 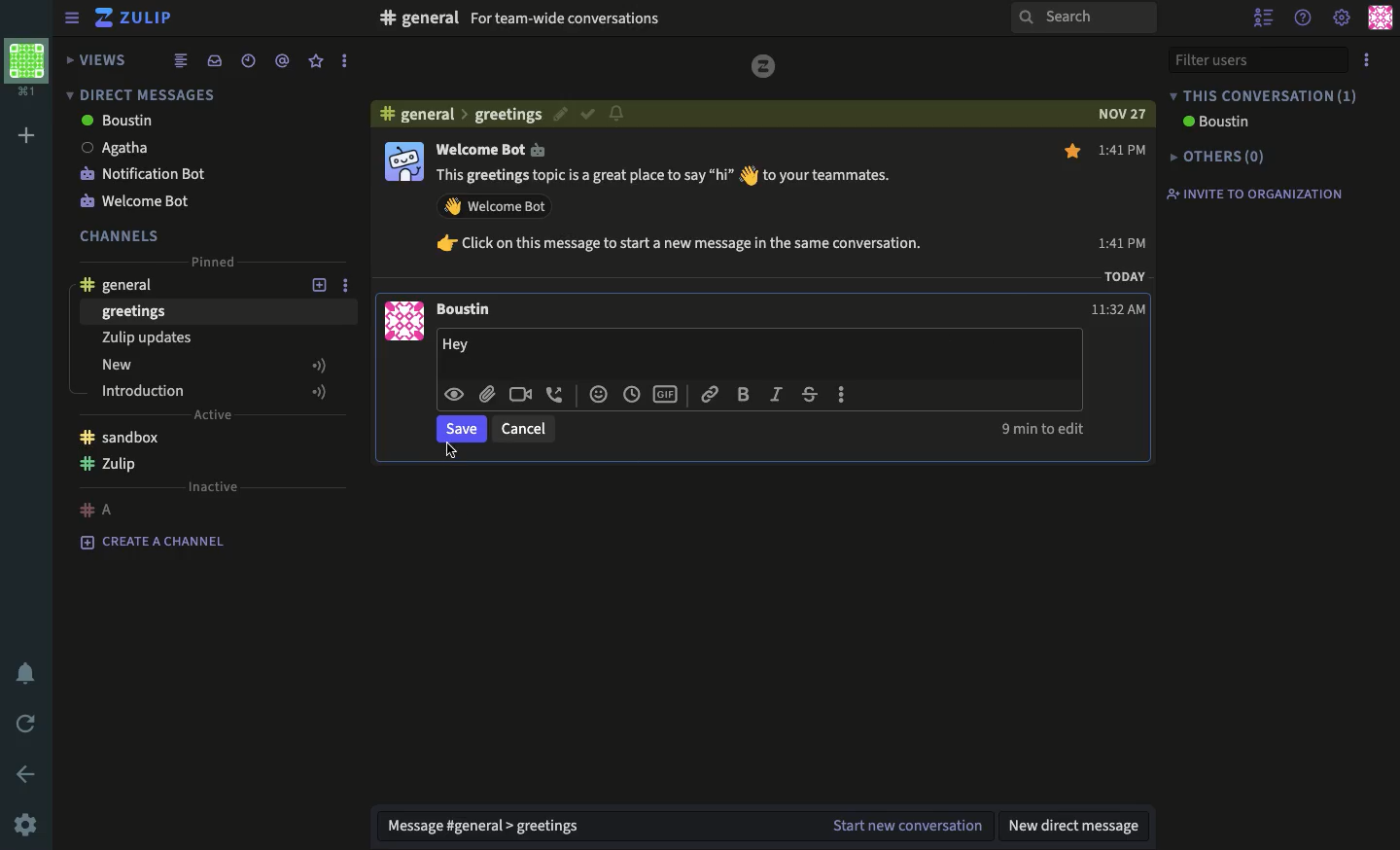 What do you see at coordinates (710, 394) in the screenshot?
I see `link` at bounding box center [710, 394].